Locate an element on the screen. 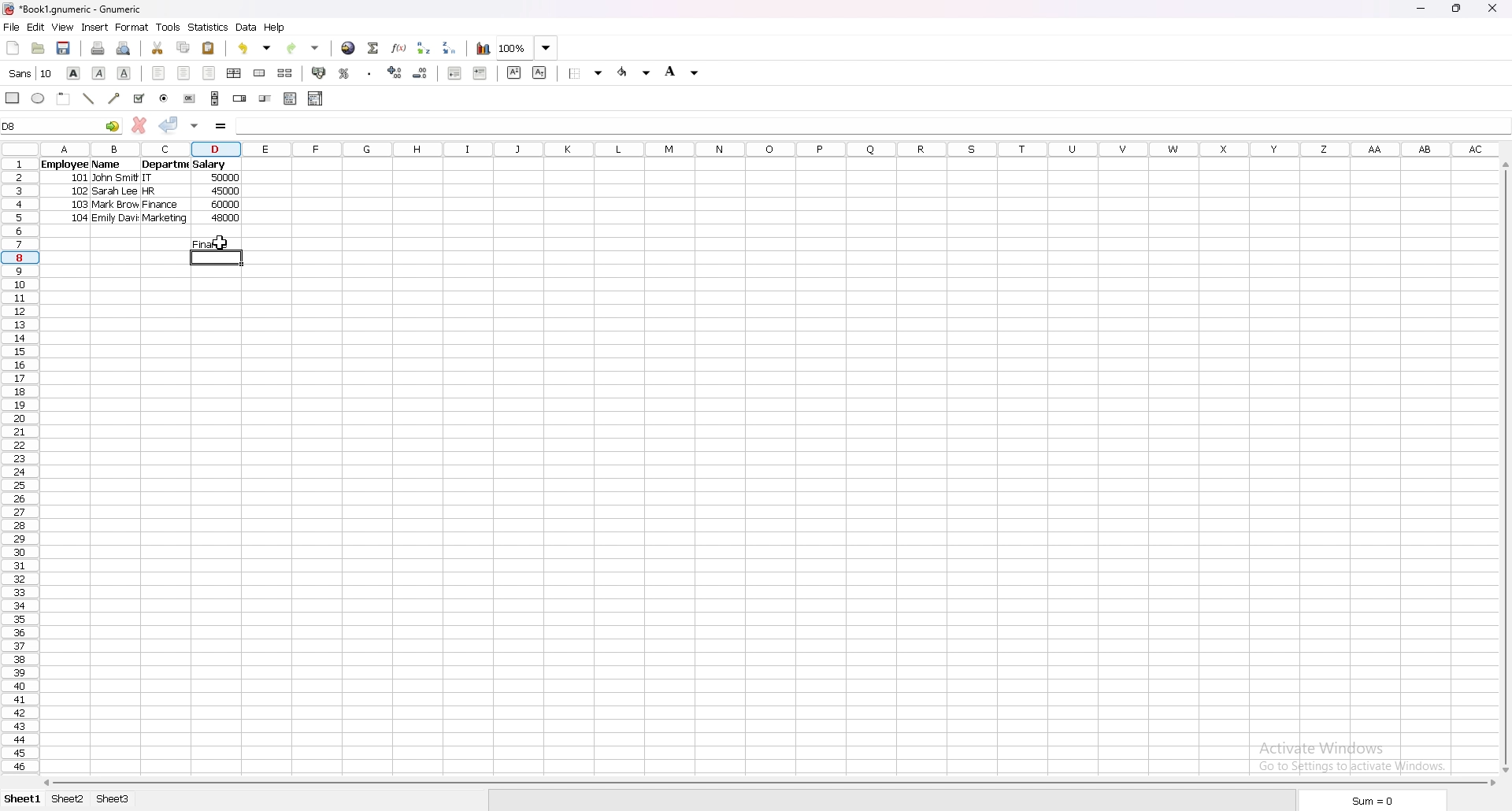  sheet 2 is located at coordinates (69, 801).